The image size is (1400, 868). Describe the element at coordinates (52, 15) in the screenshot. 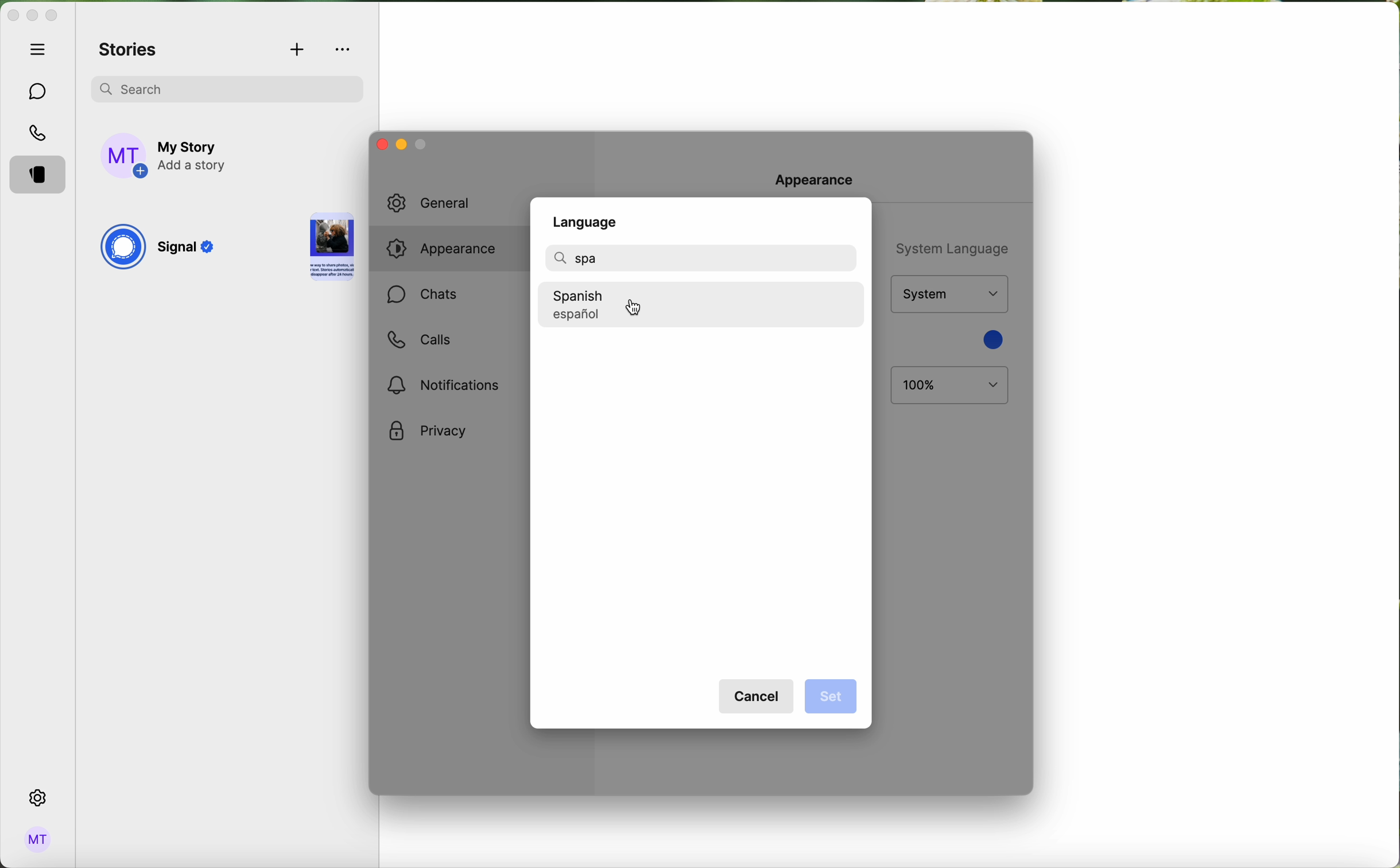

I see `maximize` at that location.